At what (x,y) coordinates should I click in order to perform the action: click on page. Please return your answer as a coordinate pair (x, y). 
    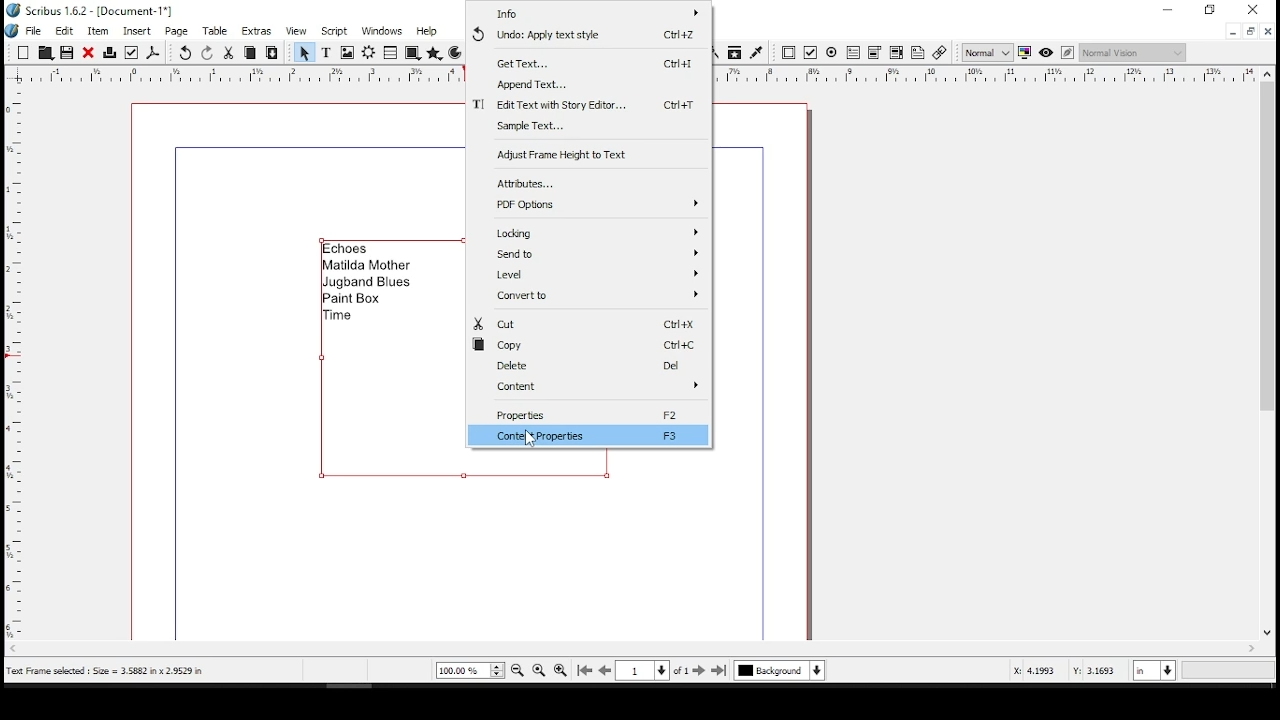
    Looking at the image, I should click on (178, 31).